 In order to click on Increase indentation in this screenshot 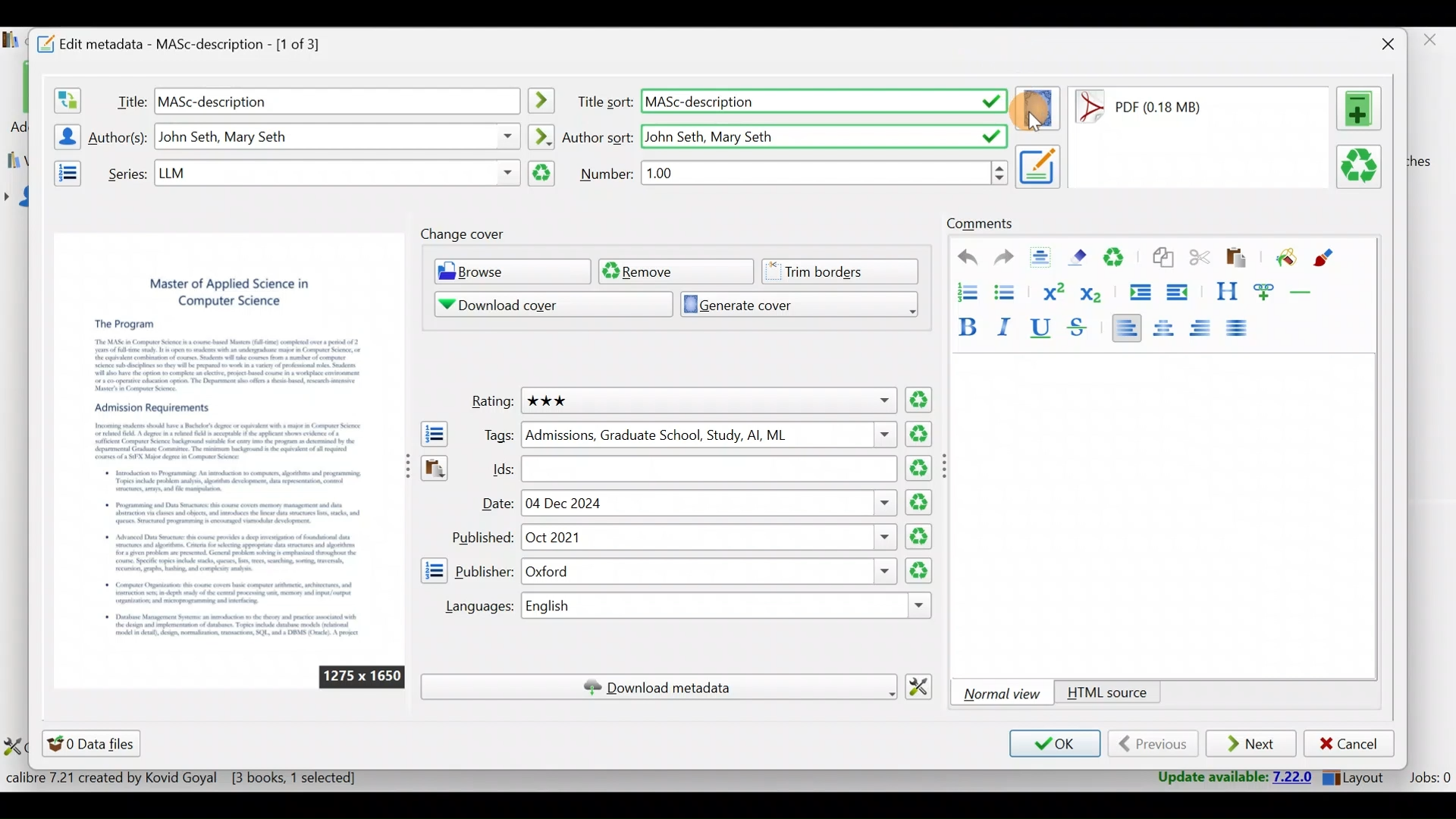, I will do `click(1138, 290)`.